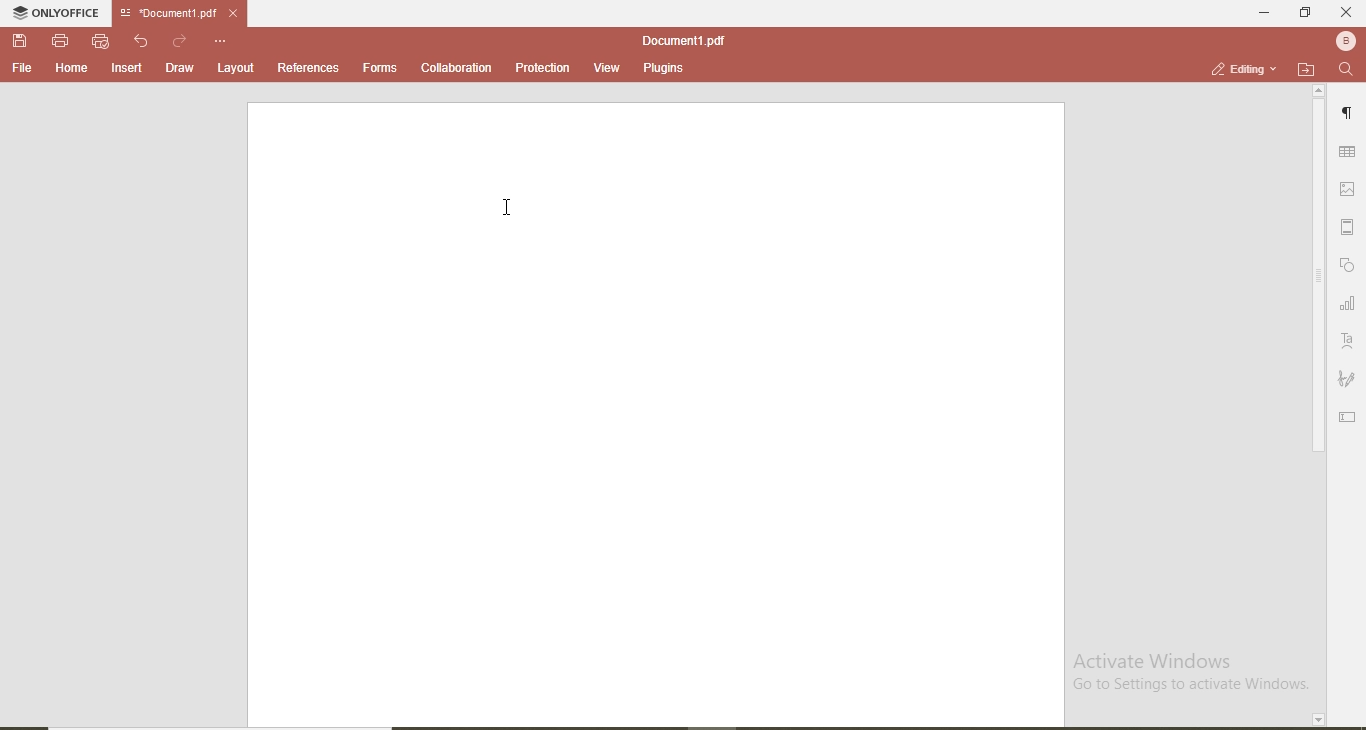 This screenshot has width=1366, height=730. What do you see at coordinates (379, 70) in the screenshot?
I see `forms` at bounding box center [379, 70].